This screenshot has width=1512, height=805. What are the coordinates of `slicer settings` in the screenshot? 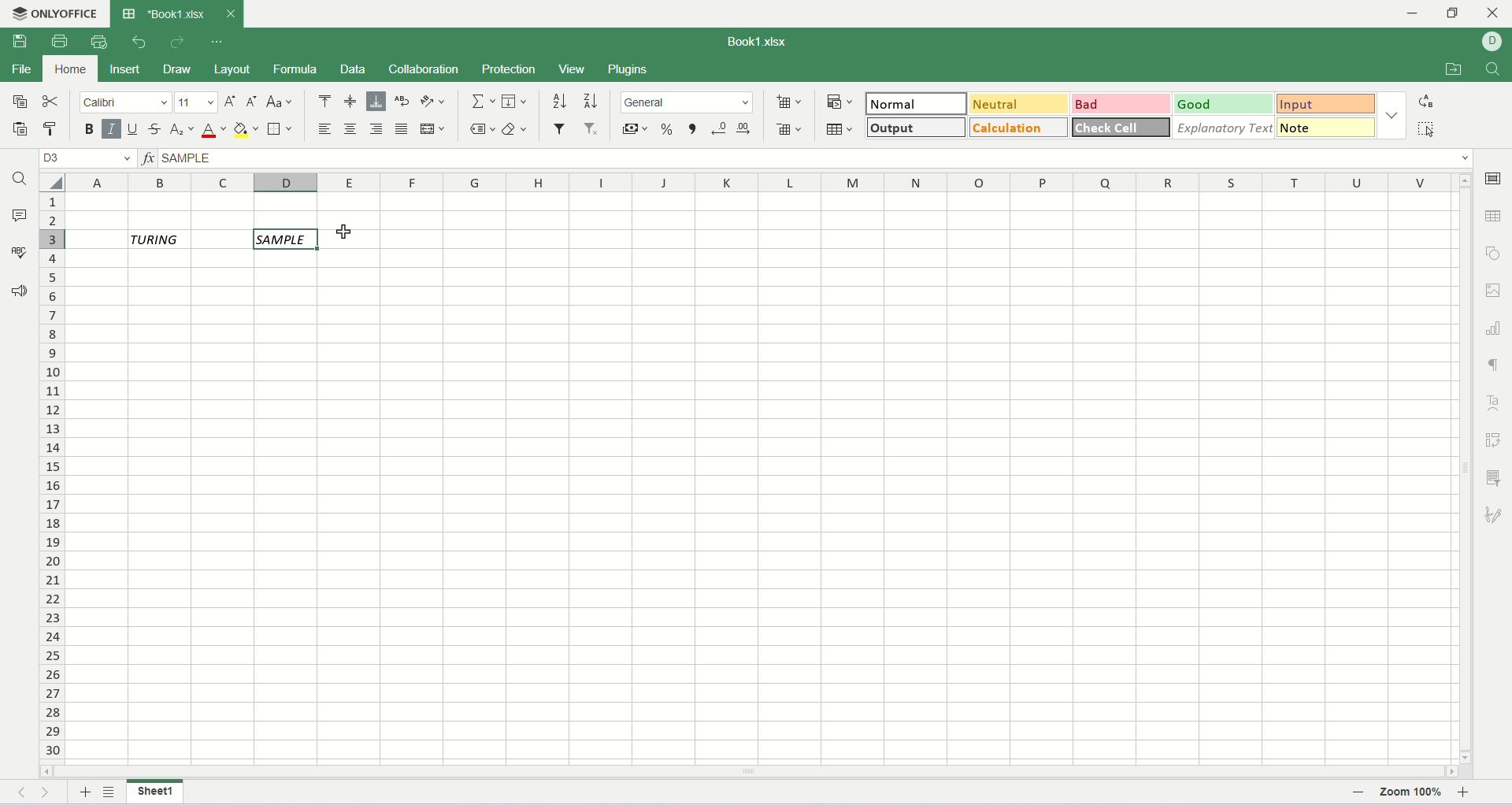 It's located at (1494, 477).